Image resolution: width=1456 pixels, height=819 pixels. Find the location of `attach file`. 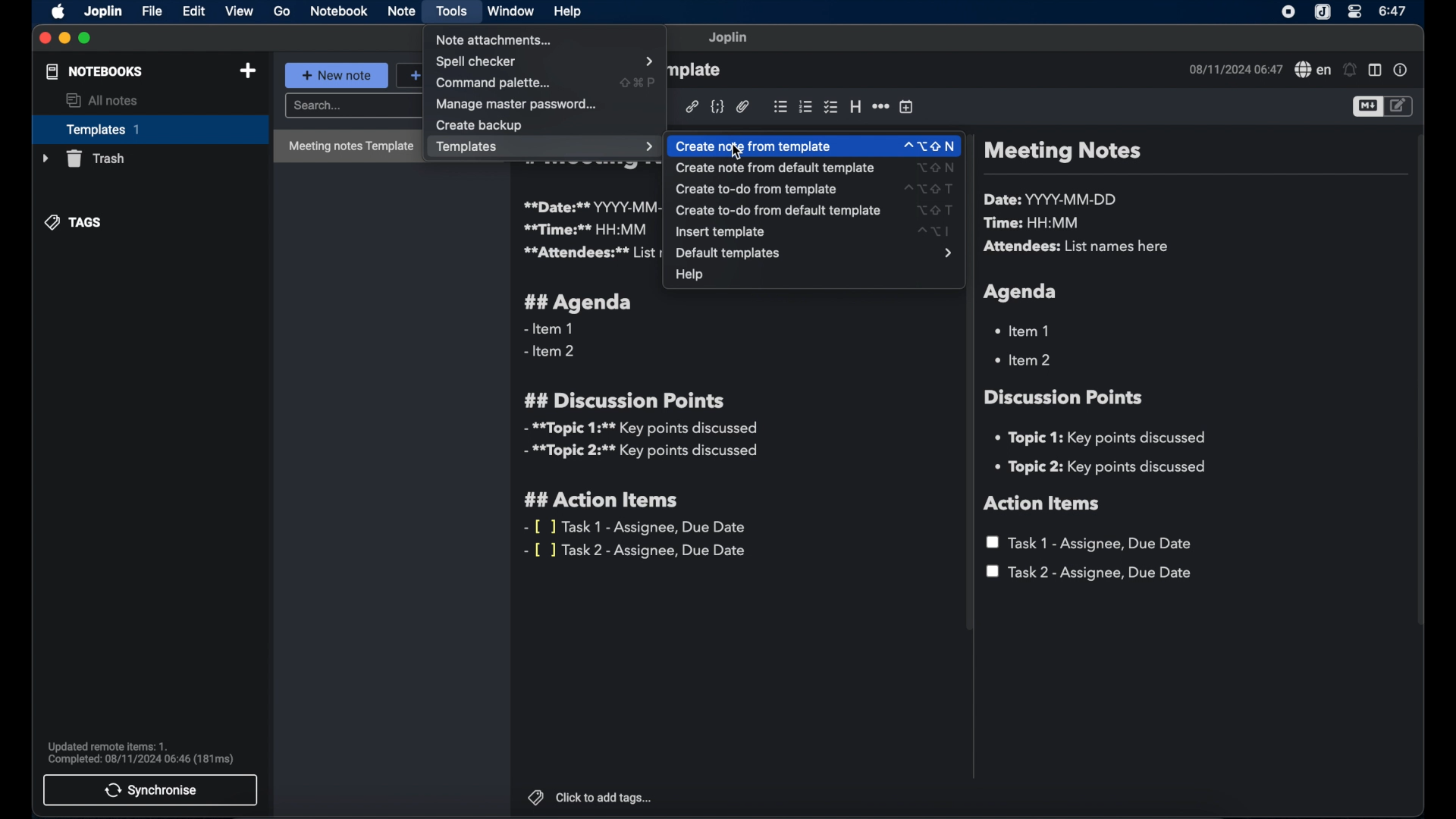

attach file is located at coordinates (743, 107).